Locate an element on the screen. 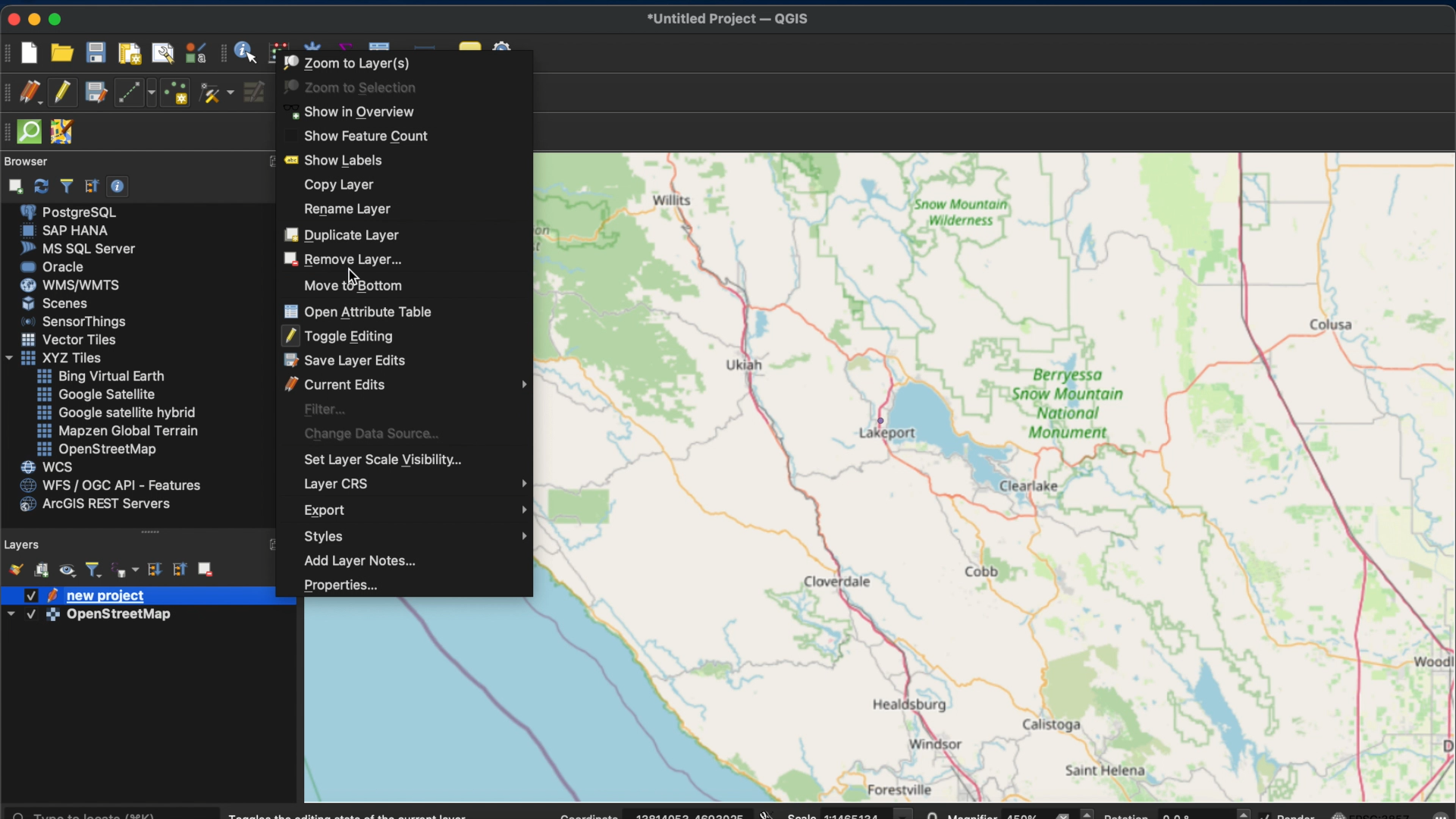 This screenshot has height=819, width=1456. set layer scale visibility is located at coordinates (379, 458).